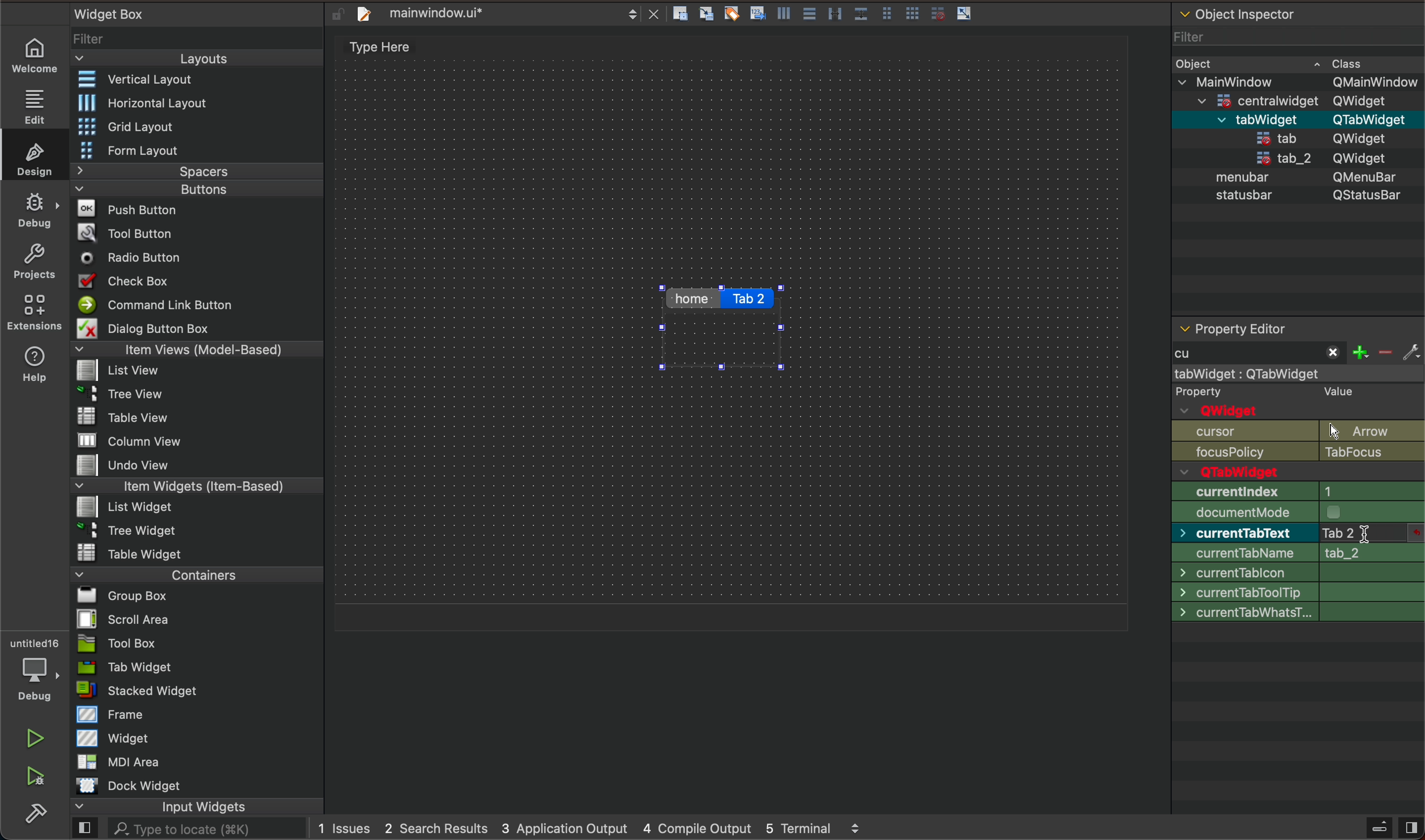  Describe the element at coordinates (594, 828) in the screenshot. I see `logs` at that location.